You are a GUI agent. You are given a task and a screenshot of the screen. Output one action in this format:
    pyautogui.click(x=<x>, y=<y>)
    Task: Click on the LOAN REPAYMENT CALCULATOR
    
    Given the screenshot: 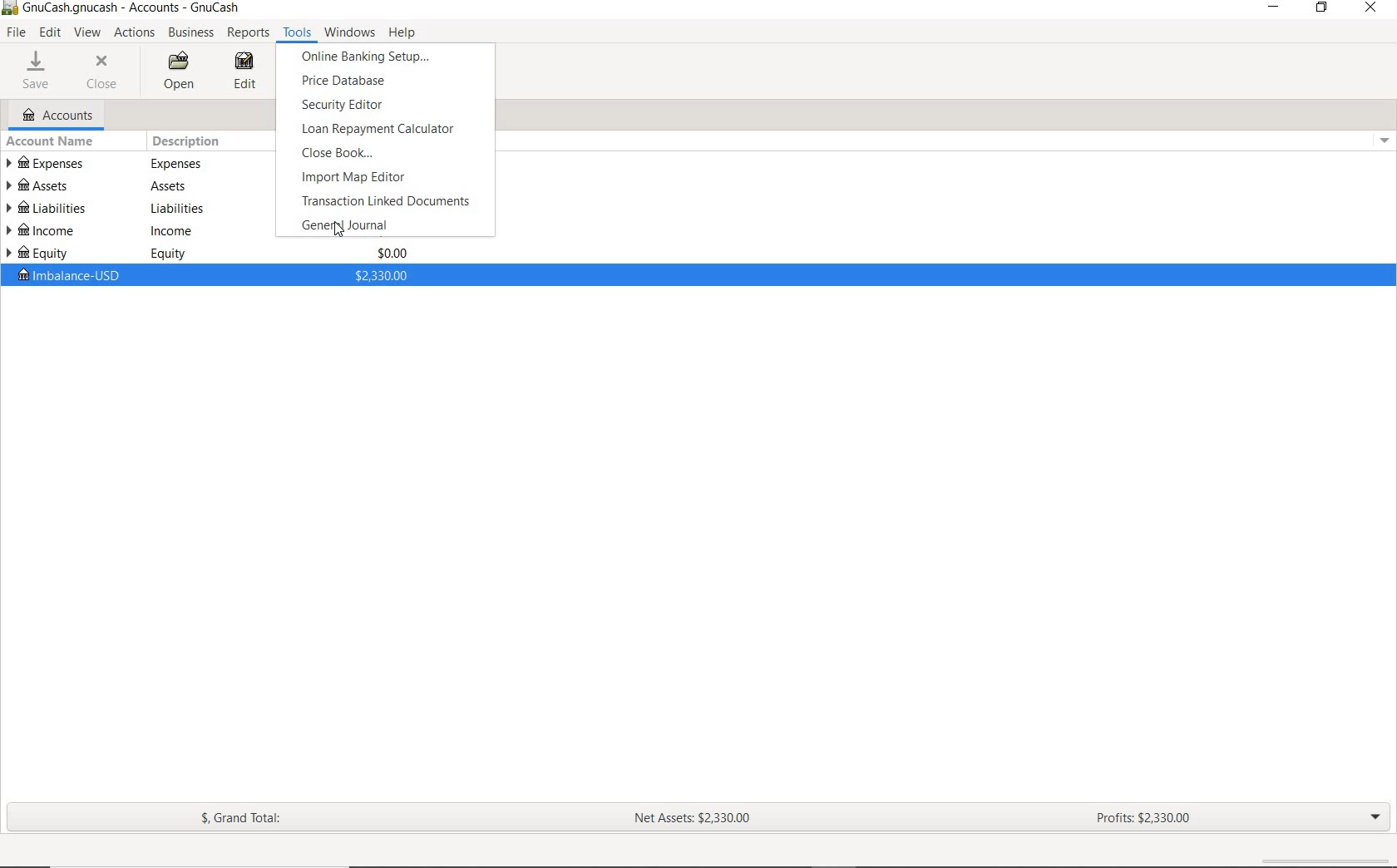 What is the action you would take?
    pyautogui.click(x=386, y=130)
    